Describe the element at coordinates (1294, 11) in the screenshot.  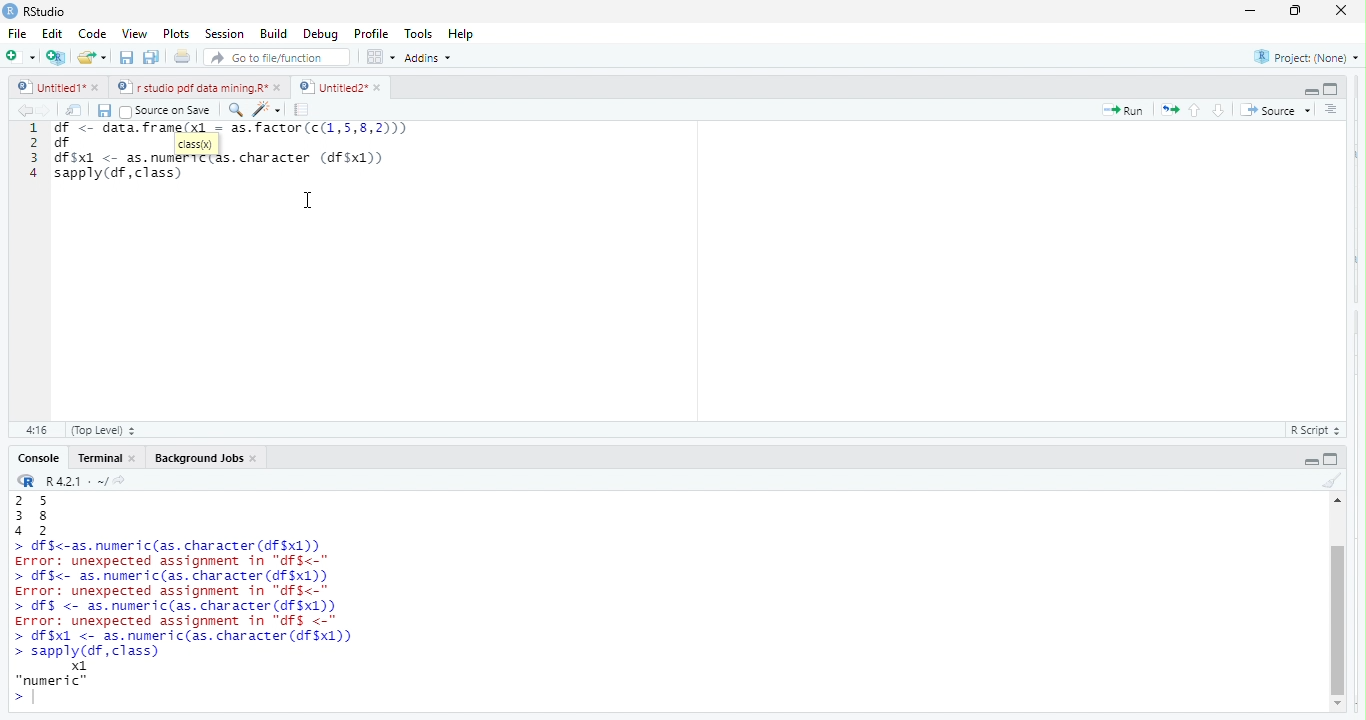
I see `maximize` at that location.